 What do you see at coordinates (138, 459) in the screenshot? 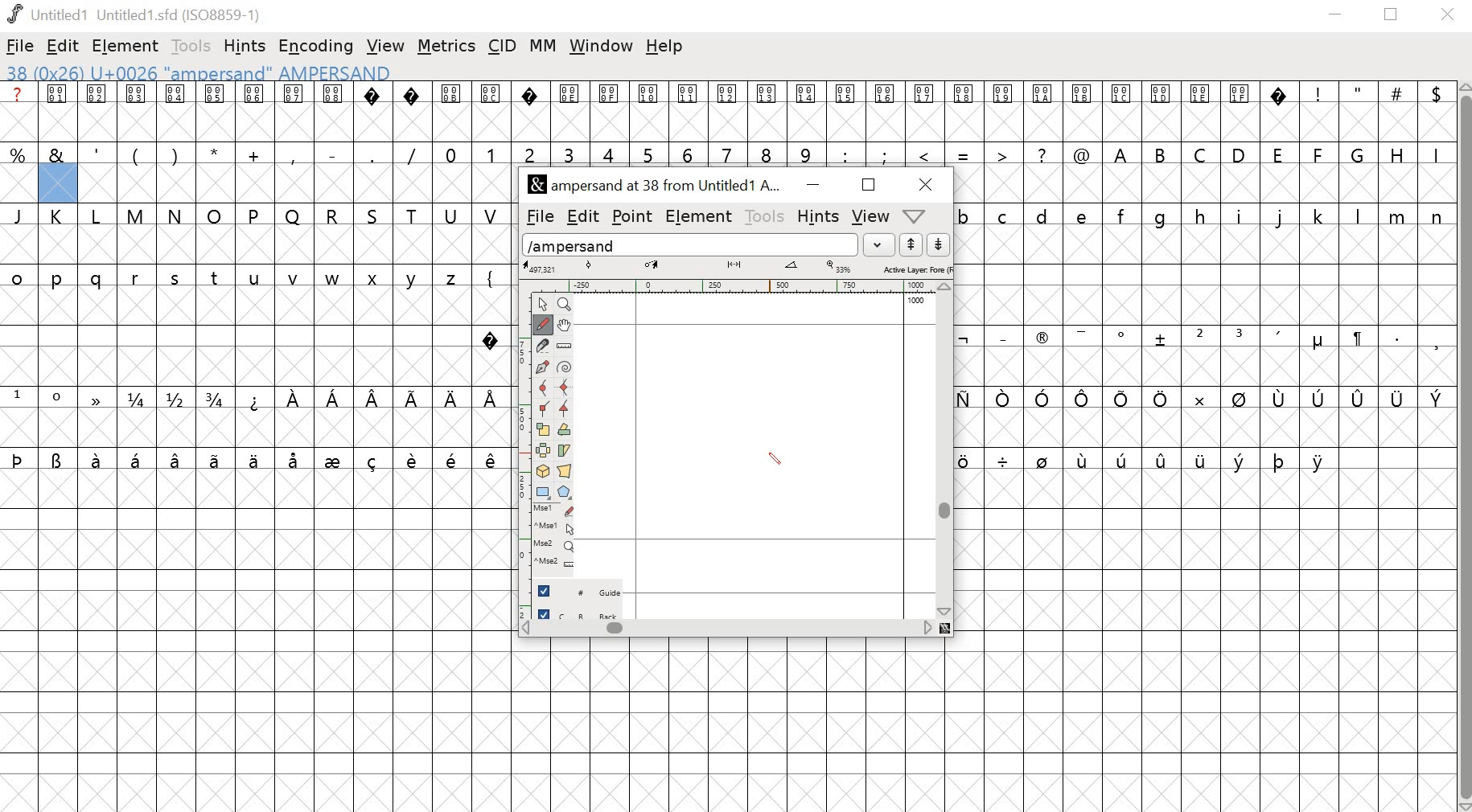
I see `symbol` at bounding box center [138, 459].